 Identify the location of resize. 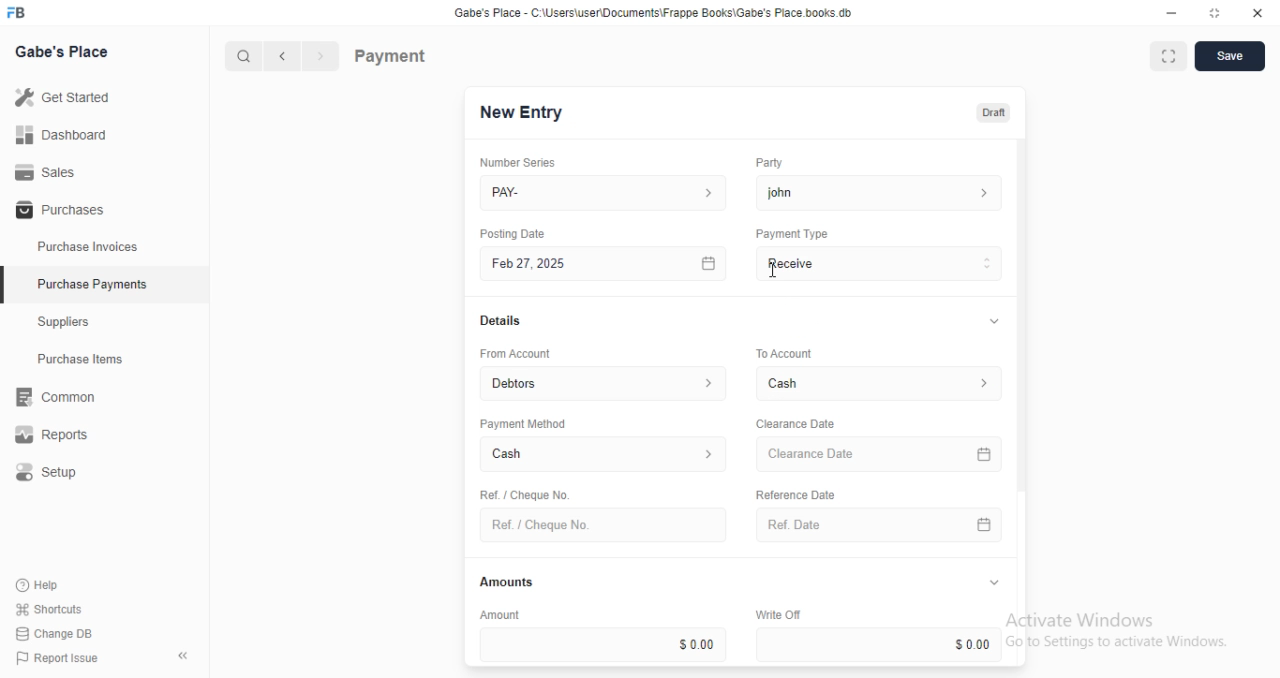
(1213, 13).